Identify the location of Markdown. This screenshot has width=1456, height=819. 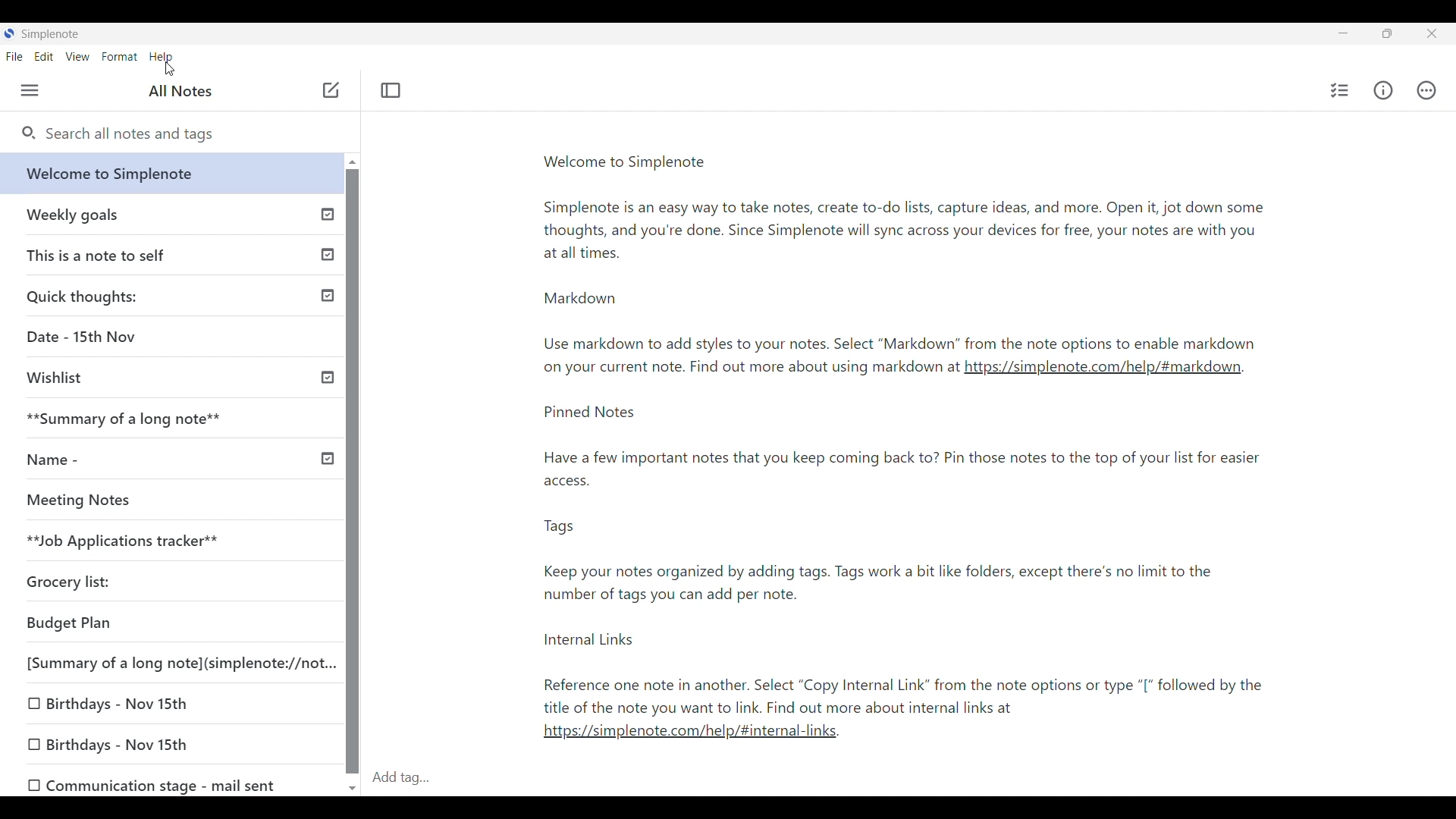
(578, 298).